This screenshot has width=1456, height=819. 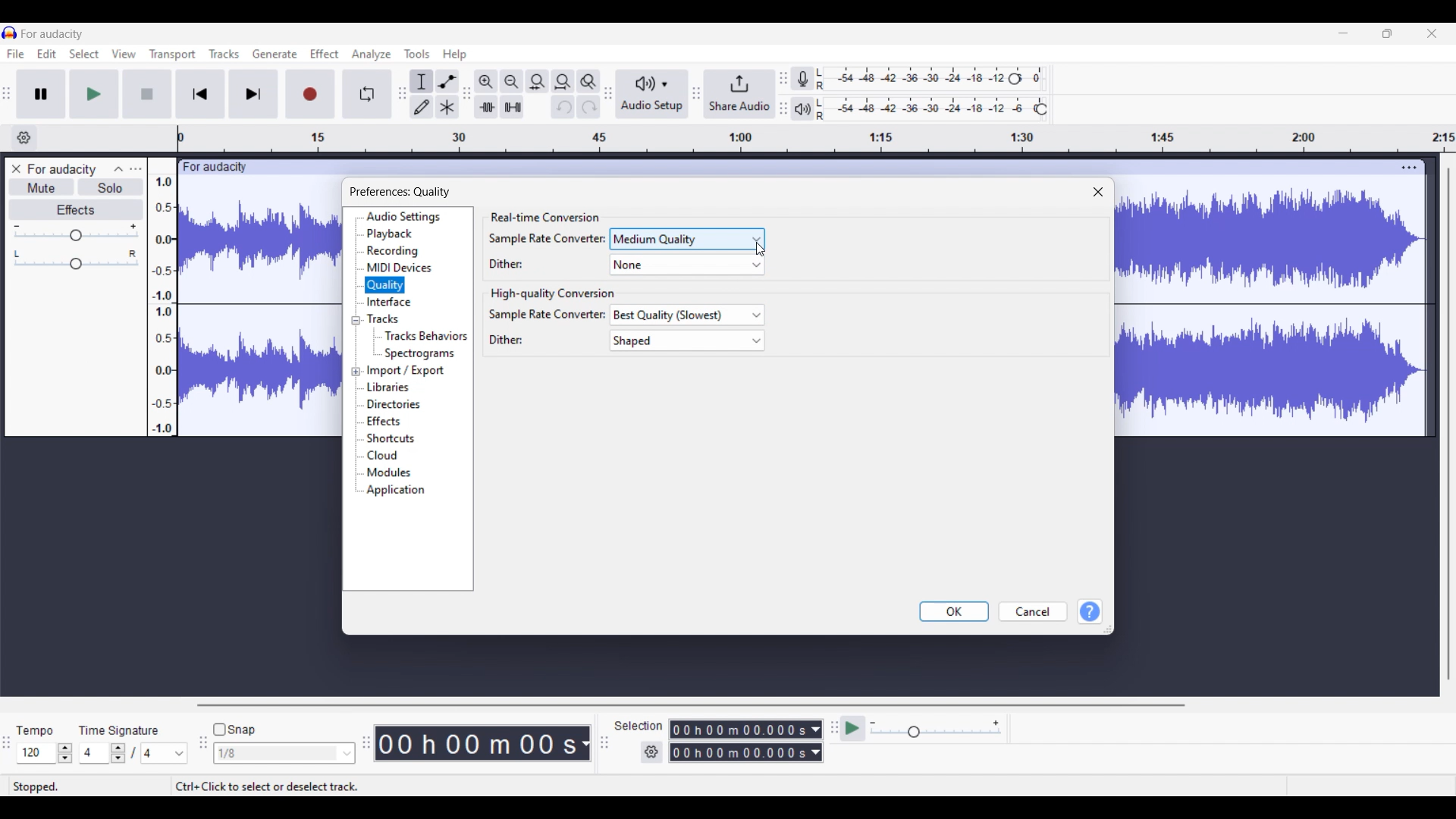 What do you see at coordinates (588, 82) in the screenshot?
I see `Zoom toggle` at bounding box center [588, 82].